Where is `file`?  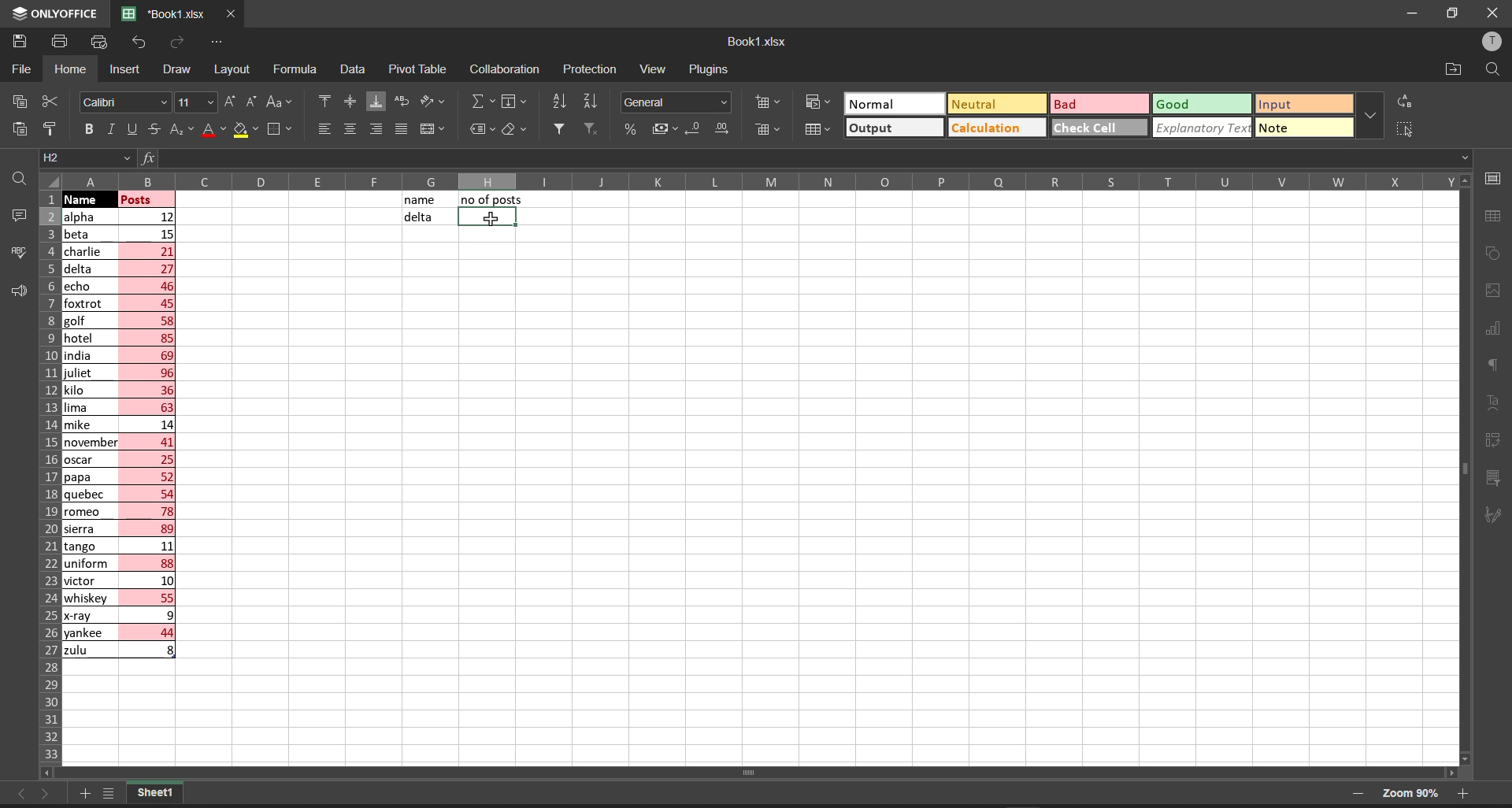 file is located at coordinates (23, 68).